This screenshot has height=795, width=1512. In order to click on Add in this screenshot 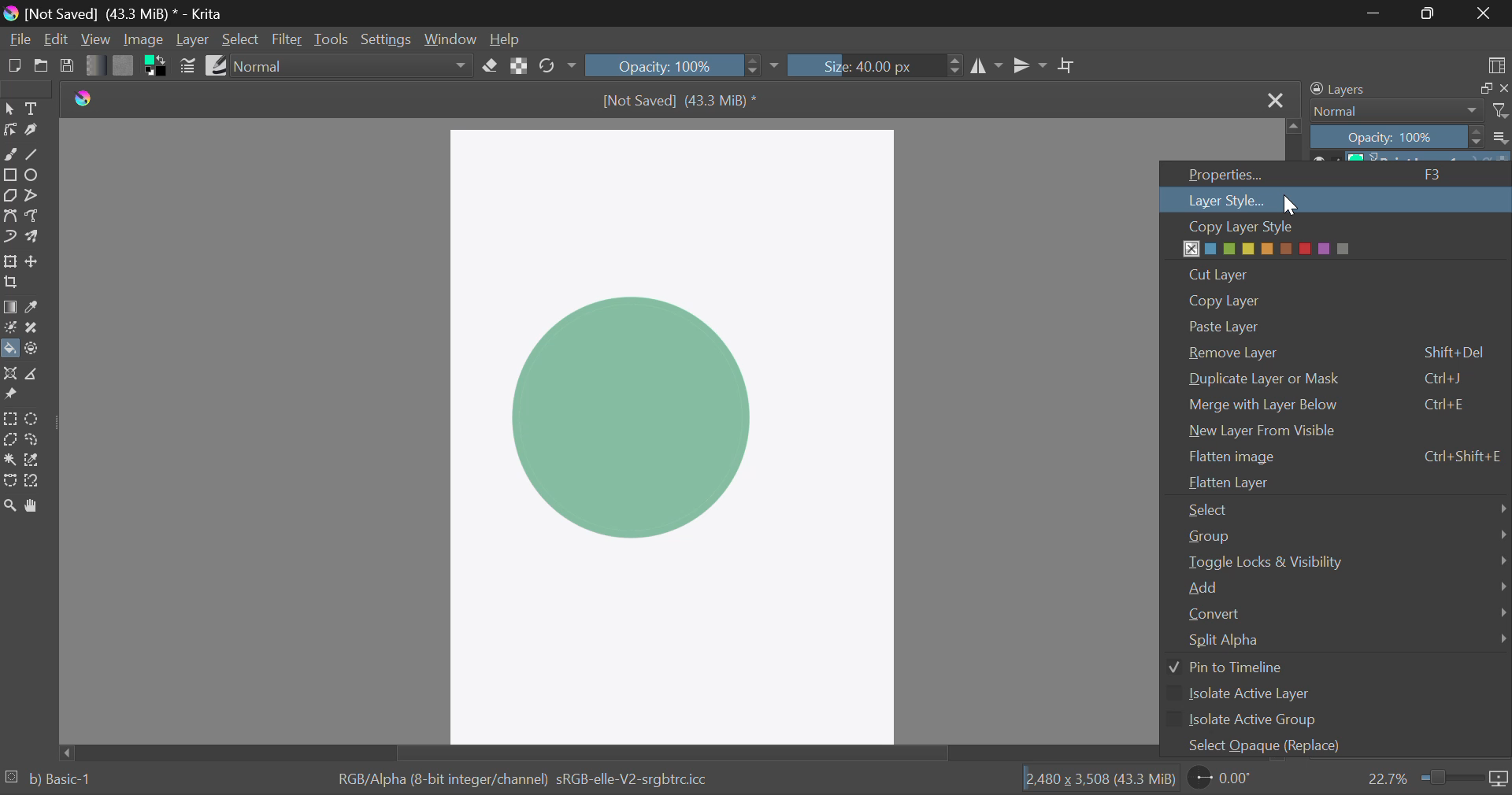, I will do `click(1343, 590)`.